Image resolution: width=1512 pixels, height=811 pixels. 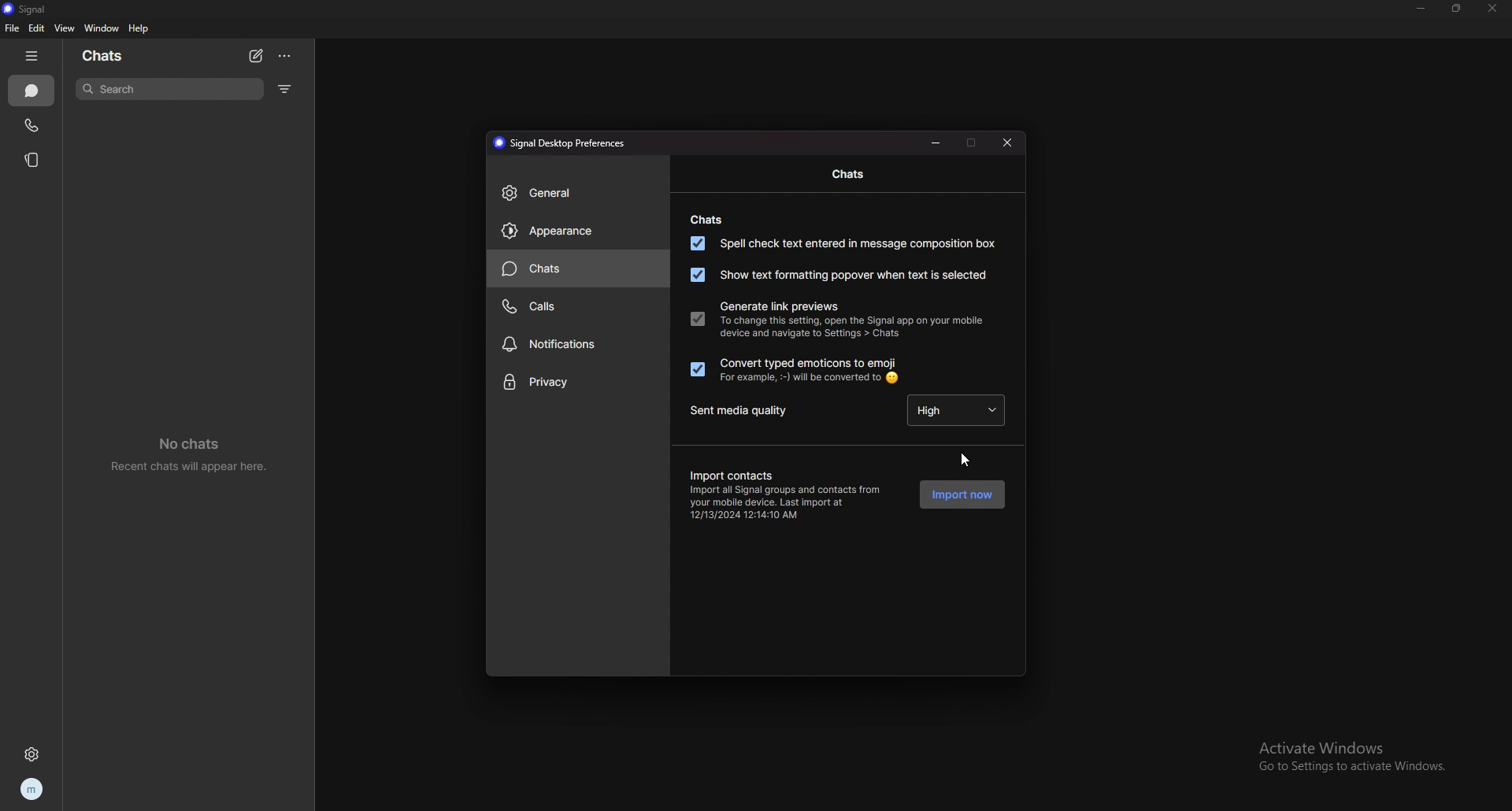 I want to click on general, so click(x=578, y=192).